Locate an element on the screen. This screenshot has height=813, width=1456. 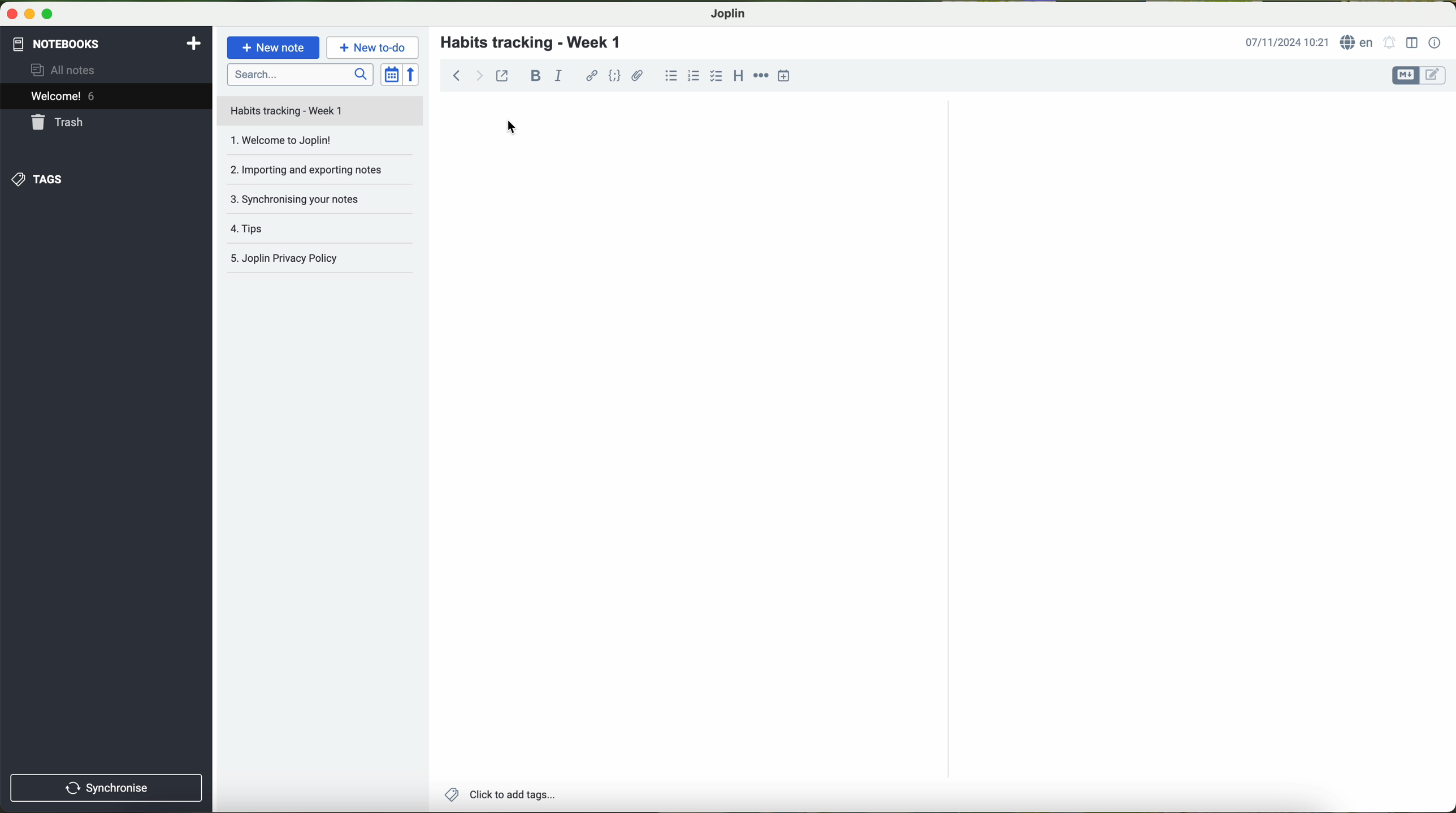
checkbox is located at coordinates (717, 77).